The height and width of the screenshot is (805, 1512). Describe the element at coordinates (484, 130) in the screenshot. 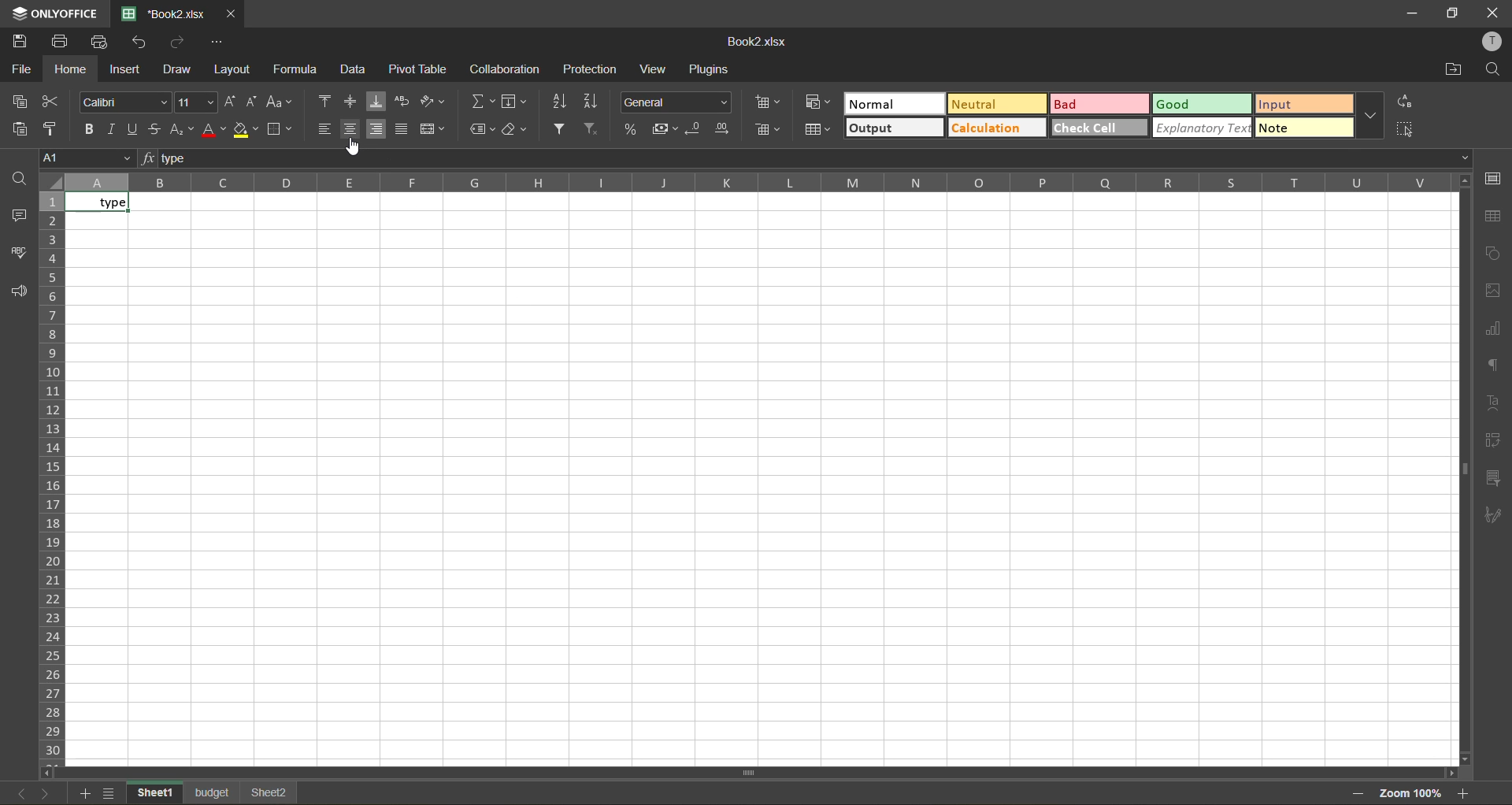

I see `named ranges` at that location.